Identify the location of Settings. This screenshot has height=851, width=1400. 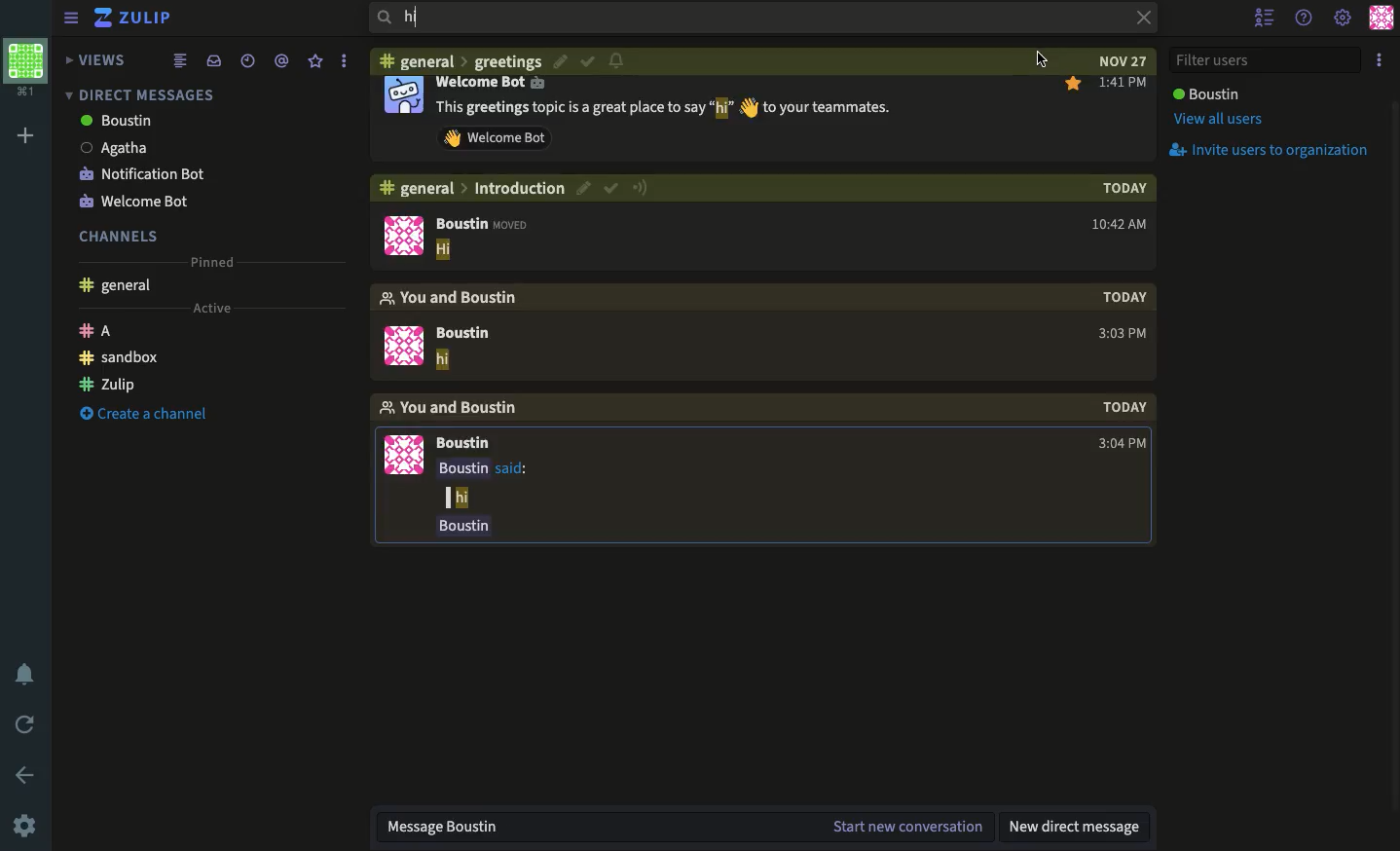
(1344, 17).